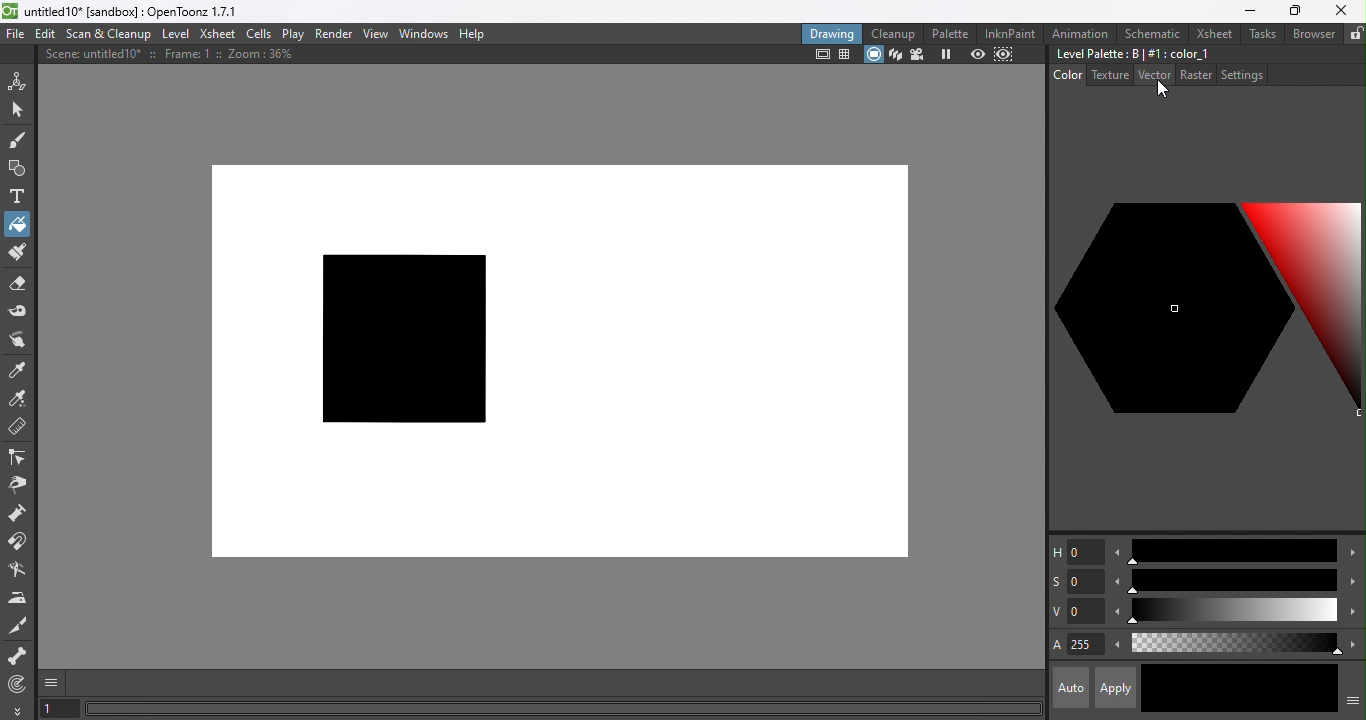 The width and height of the screenshot is (1366, 720). I want to click on Vector, so click(1153, 76).